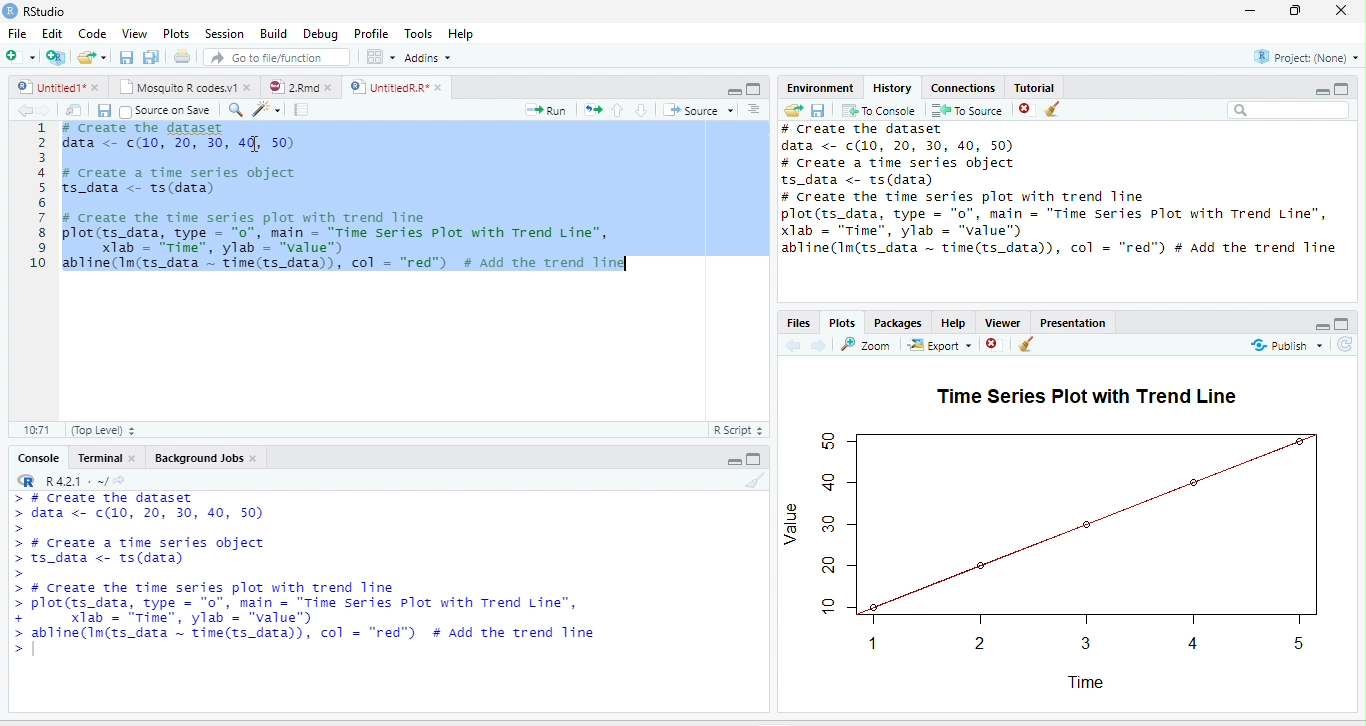 The height and width of the screenshot is (726, 1366). I want to click on 2.Rmd, so click(291, 87).